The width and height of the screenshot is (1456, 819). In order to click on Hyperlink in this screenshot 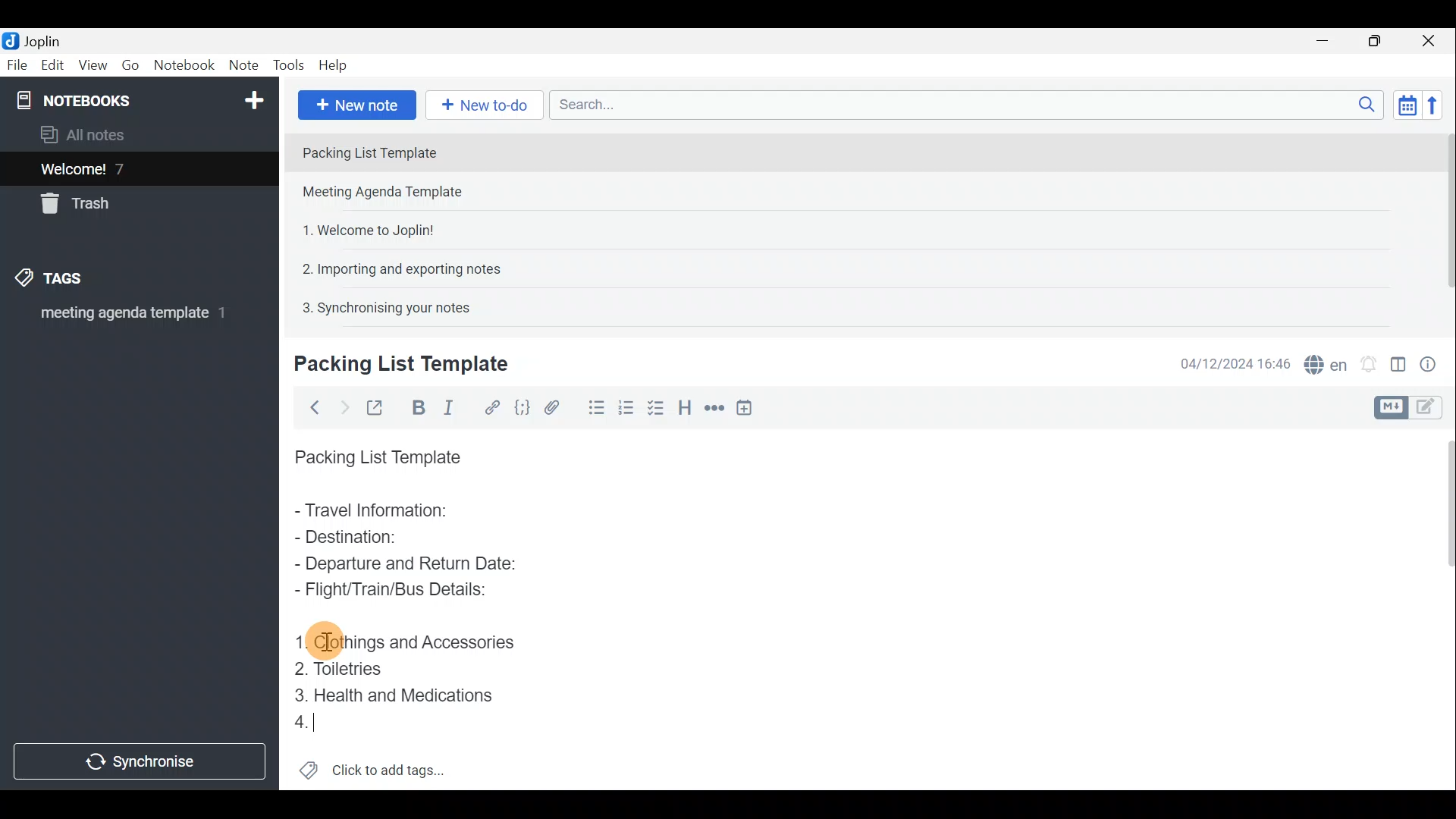, I will do `click(489, 406)`.